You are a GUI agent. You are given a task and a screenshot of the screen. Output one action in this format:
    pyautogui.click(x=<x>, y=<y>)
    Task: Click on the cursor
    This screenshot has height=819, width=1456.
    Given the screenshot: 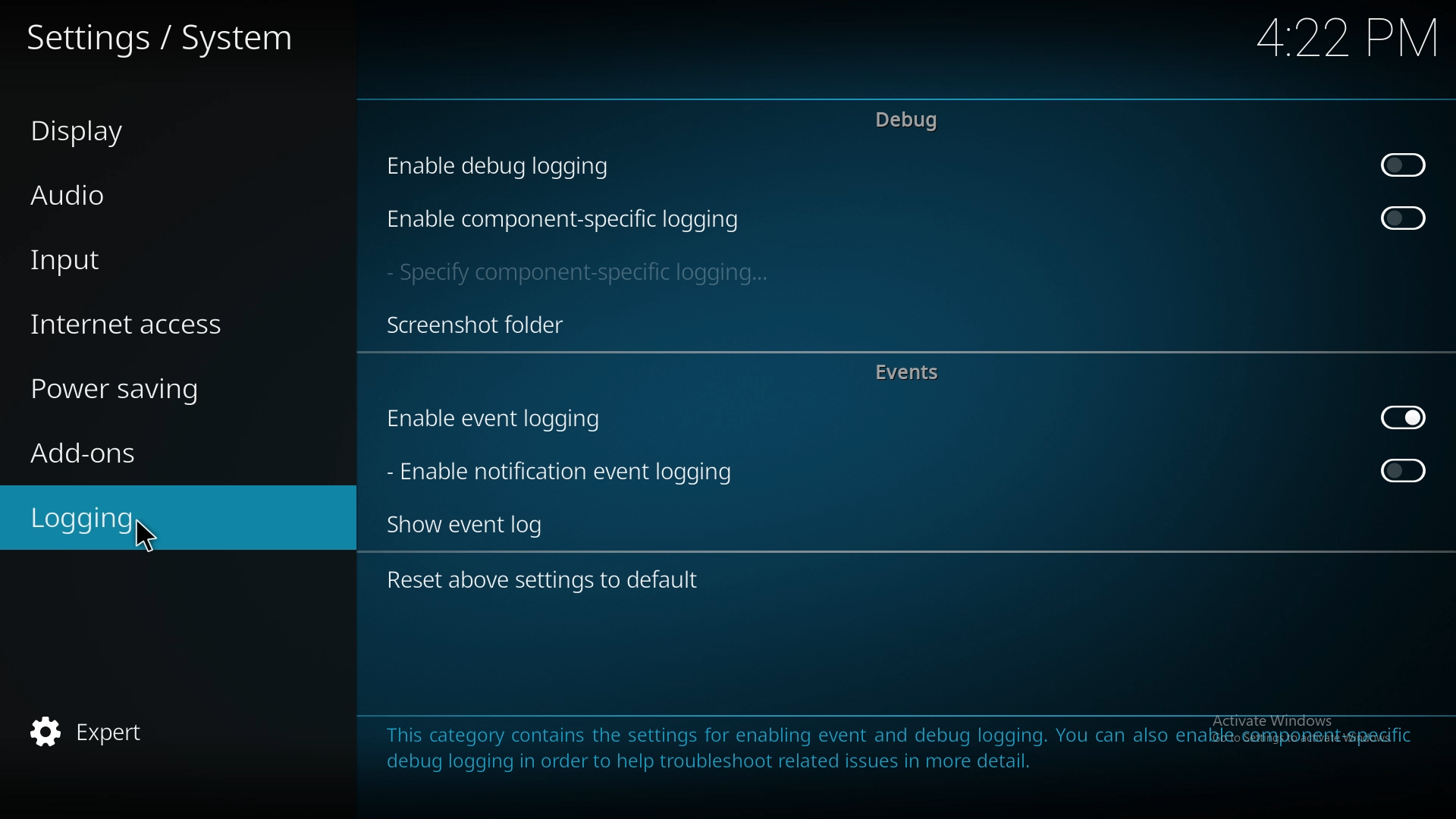 What is the action you would take?
    pyautogui.click(x=152, y=538)
    